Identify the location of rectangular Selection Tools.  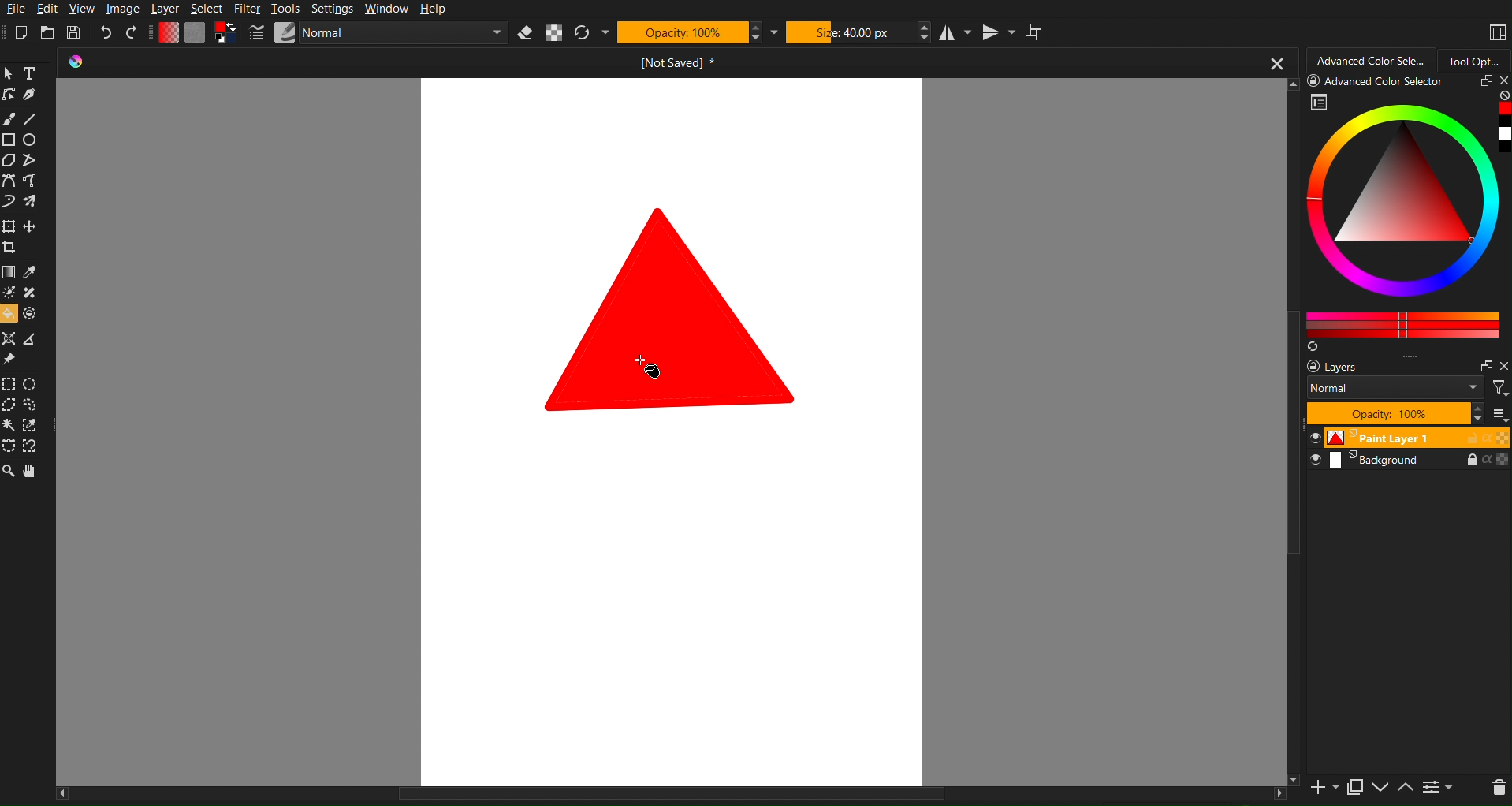
(9, 382).